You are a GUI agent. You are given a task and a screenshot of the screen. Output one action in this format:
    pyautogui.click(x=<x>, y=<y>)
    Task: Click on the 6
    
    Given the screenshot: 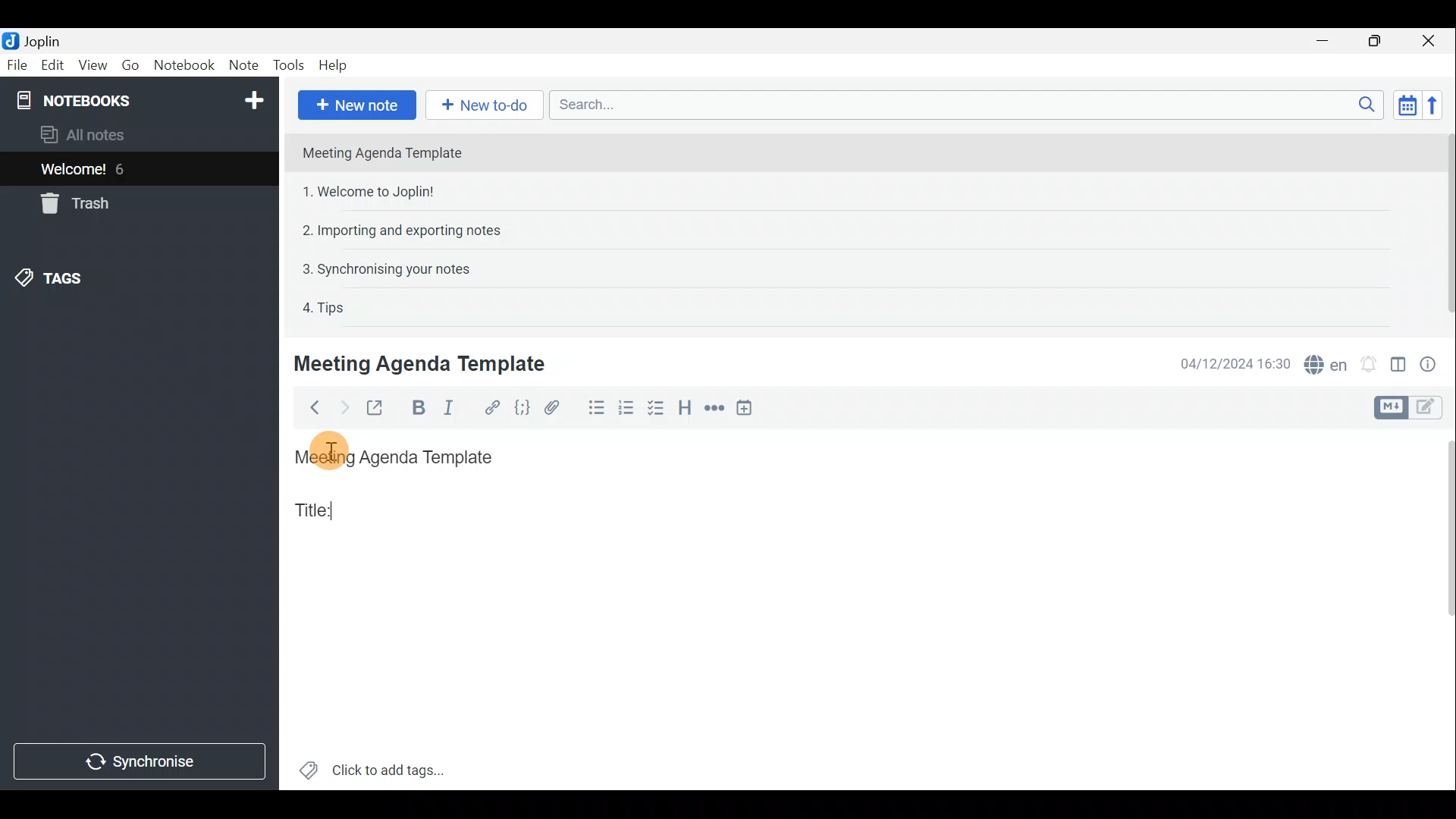 What is the action you would take?
    pyautogui.click(x=124, y=169)
    